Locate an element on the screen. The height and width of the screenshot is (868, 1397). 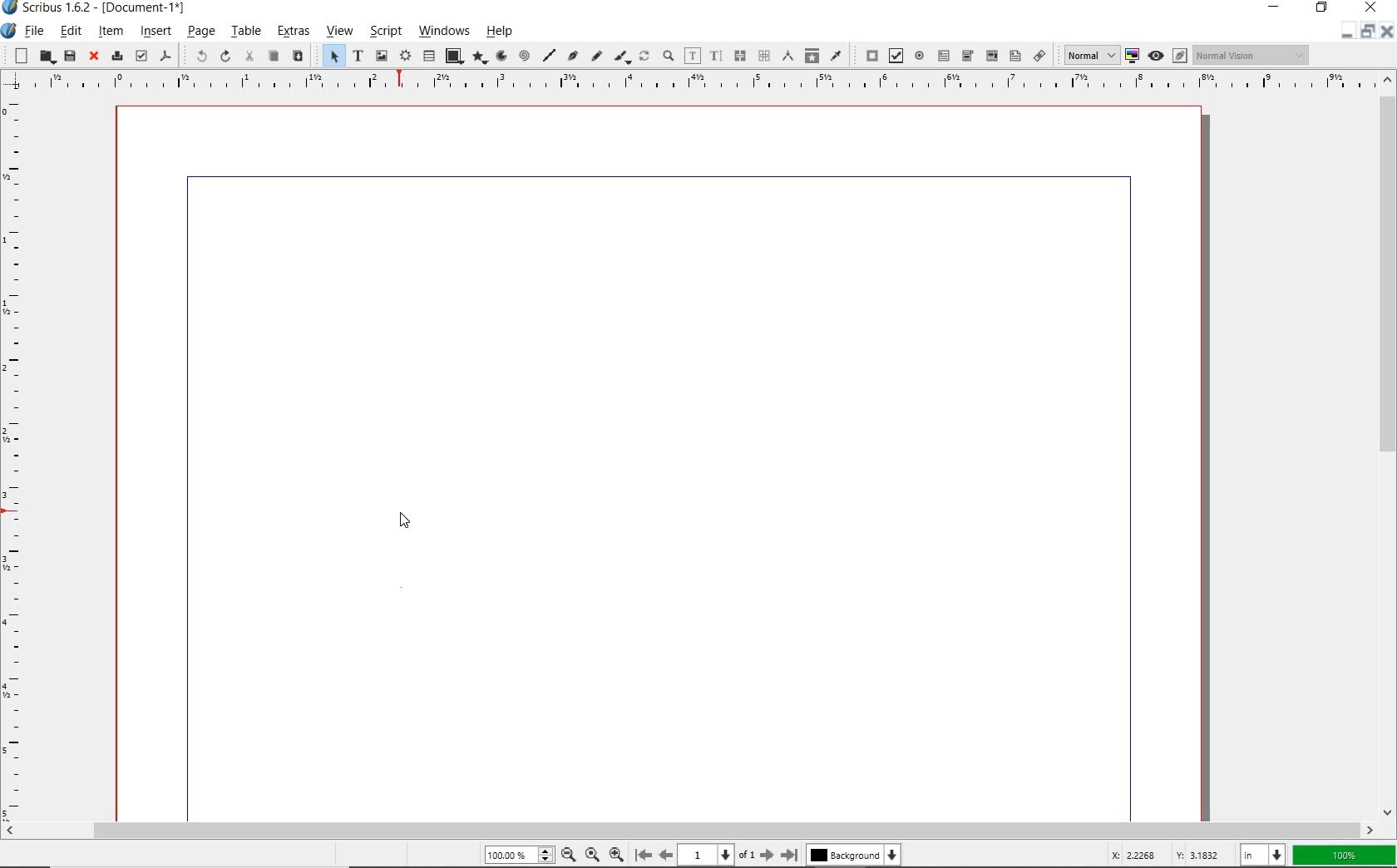
copy item properties is located at coordinates (812, 55).